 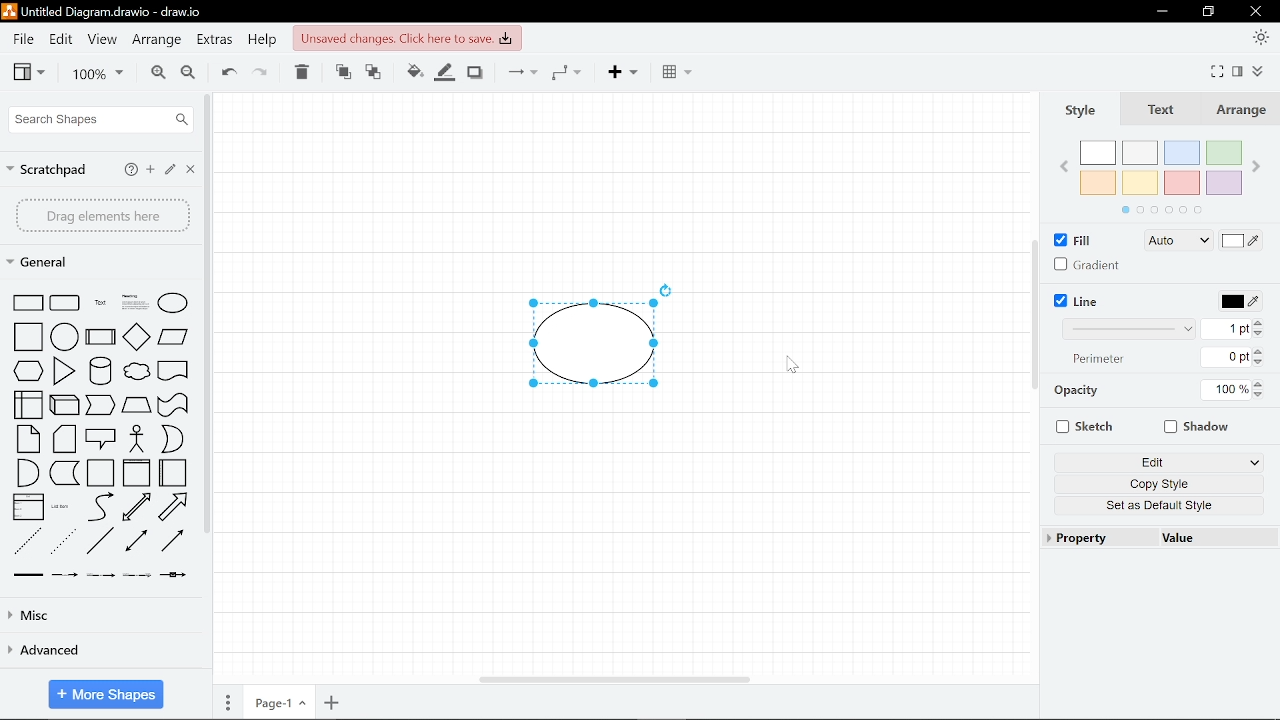 What do you see at coordinates (63, 540) in the screenshot?
I see `dotted line` at bounding box center [63, 540].